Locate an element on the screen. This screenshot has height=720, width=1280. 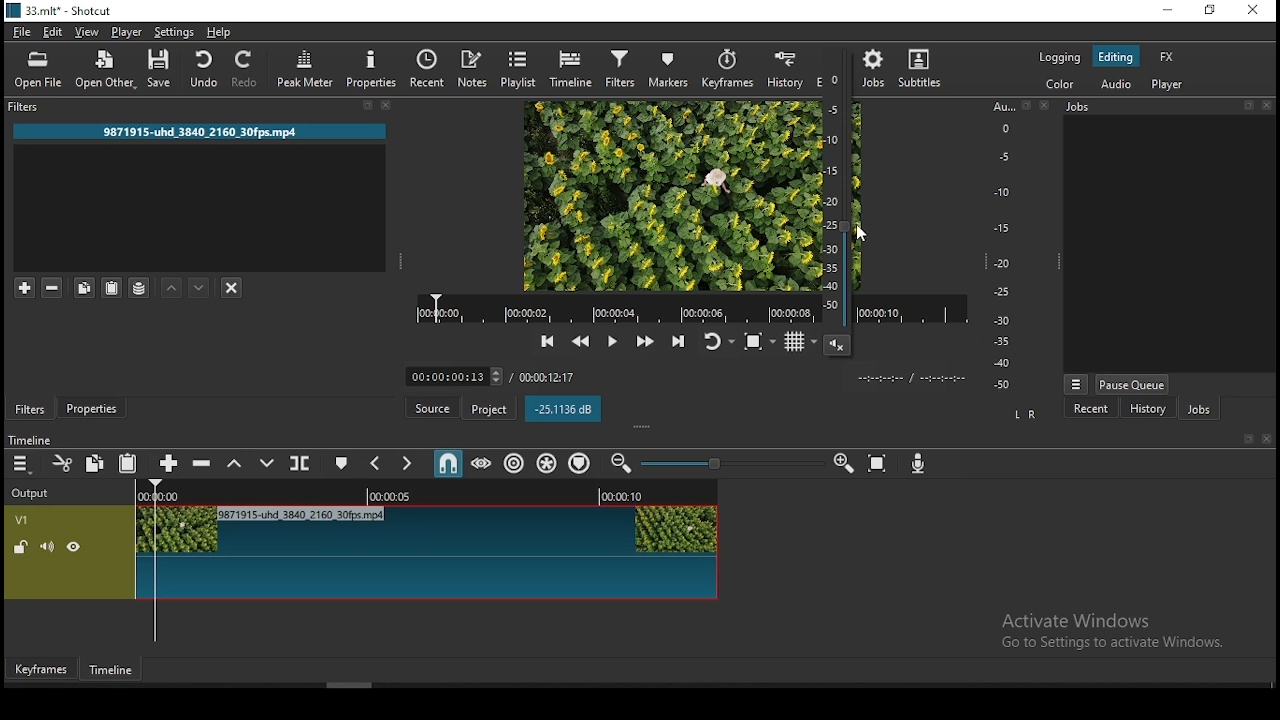
toggle player looping is located at coordinates (717, 342).